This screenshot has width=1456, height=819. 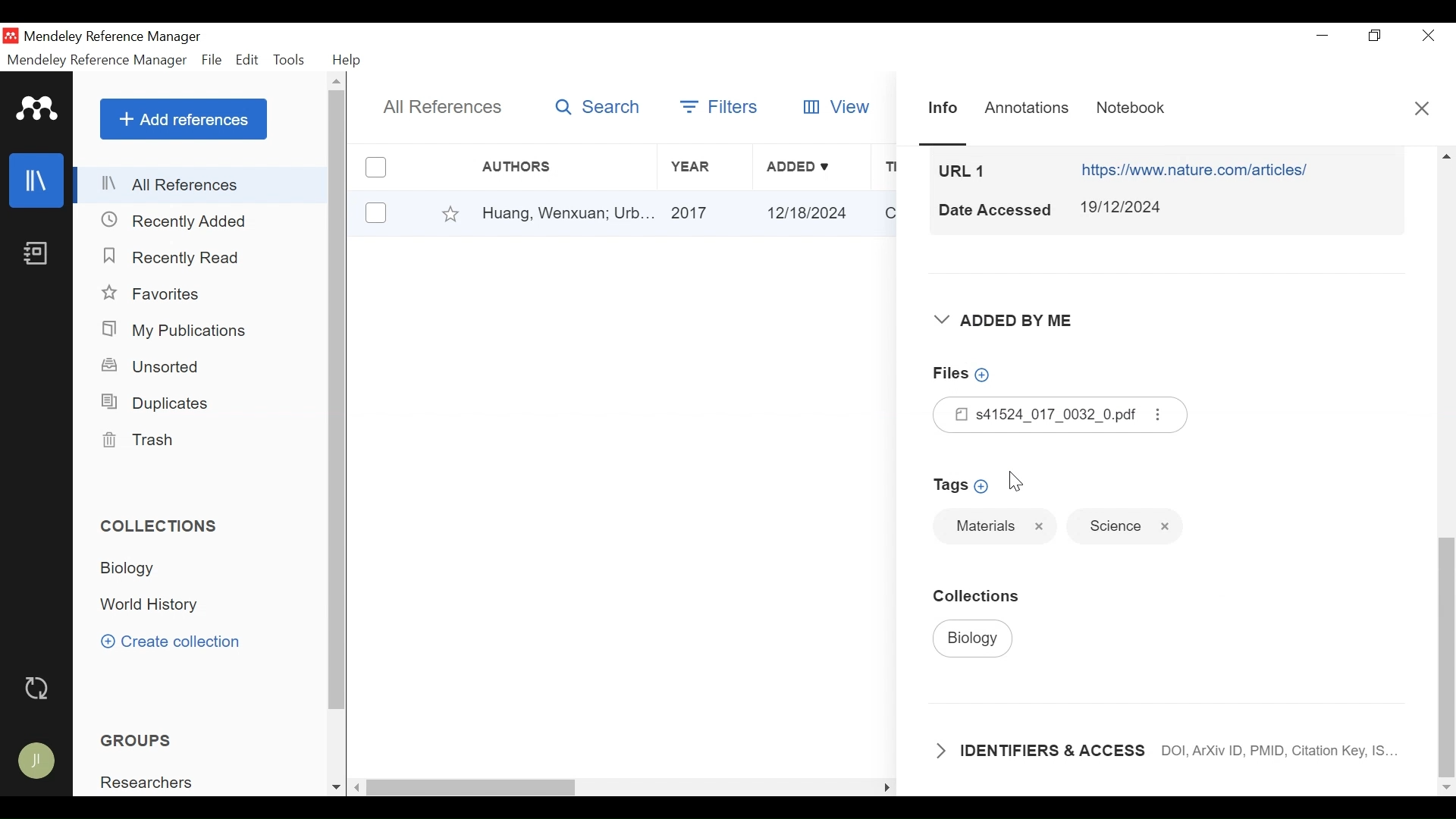 What do you see at coordinates (170, 641) in the screenshot?
I see `Create Collection` at bounding box center [170, 641].